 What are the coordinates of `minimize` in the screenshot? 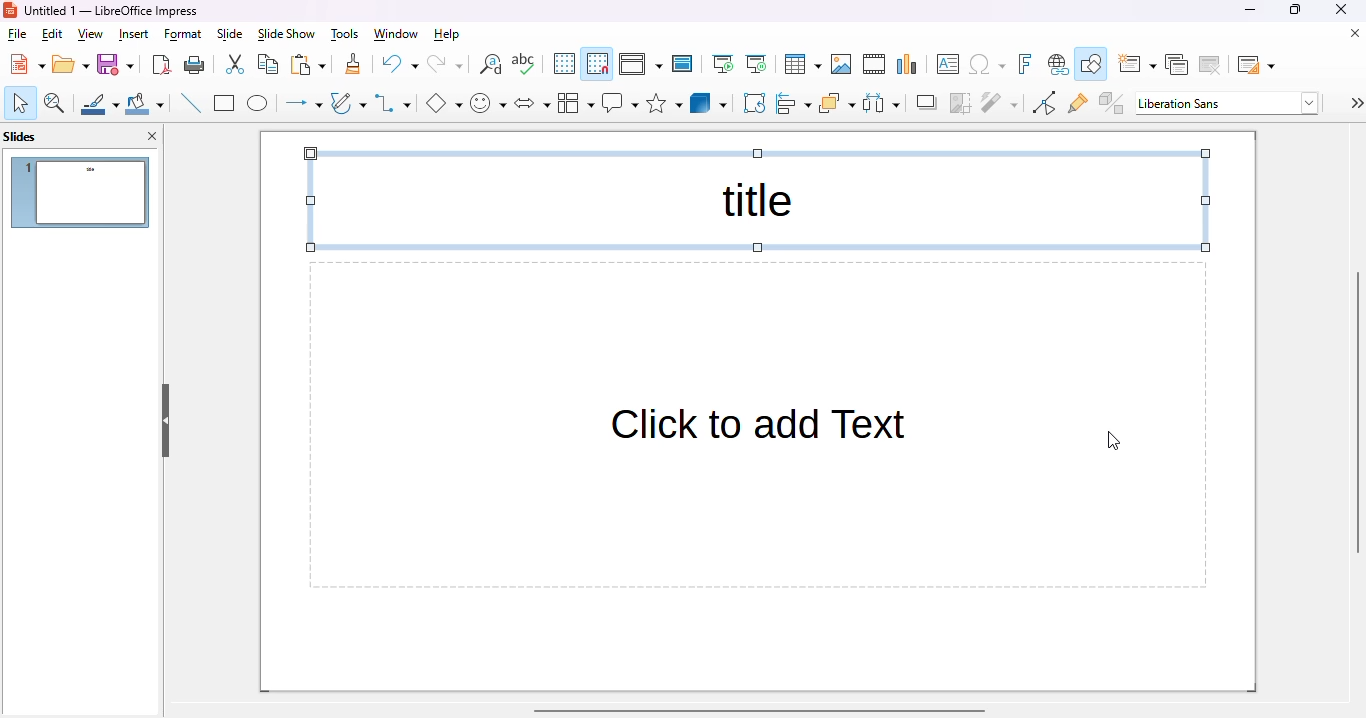 It's located at (1252, 10).